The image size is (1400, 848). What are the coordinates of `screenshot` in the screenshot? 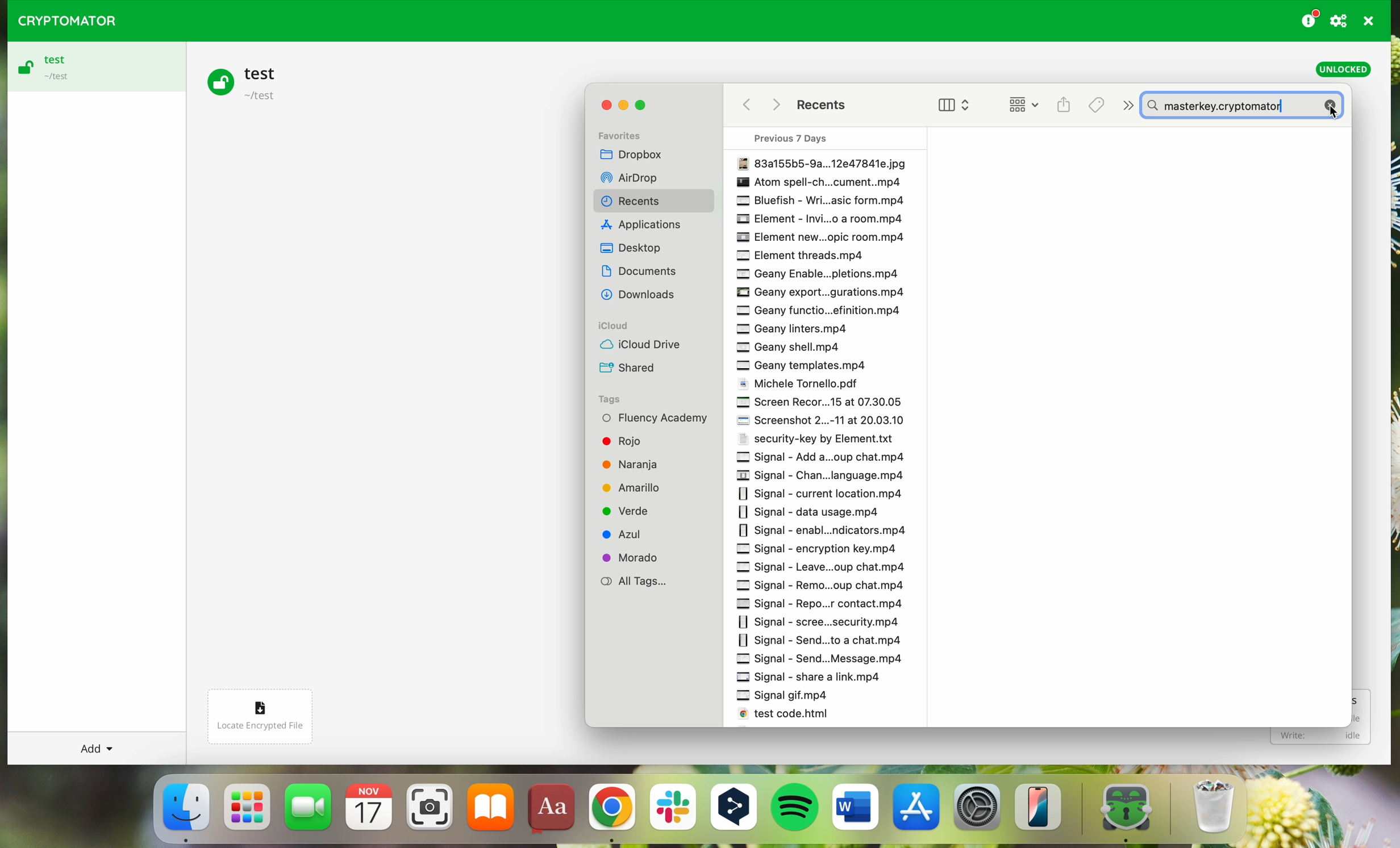 It's located at (430, 812).